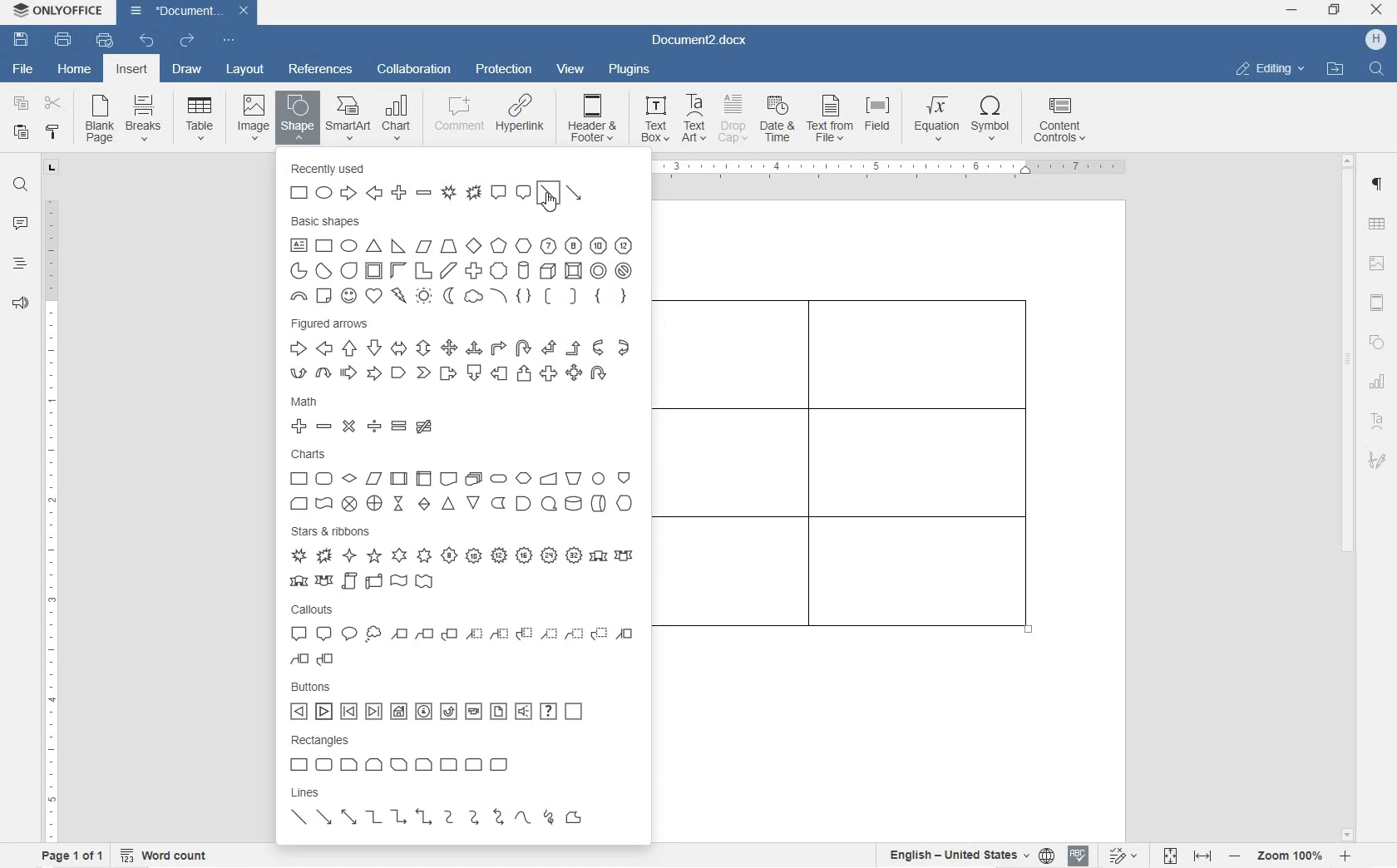 Image resolution: width=1397 pixels, height=868 pixels. Describe the element at coordinates (458, 119) in the screenshot. I see `COMMENT` at that location.